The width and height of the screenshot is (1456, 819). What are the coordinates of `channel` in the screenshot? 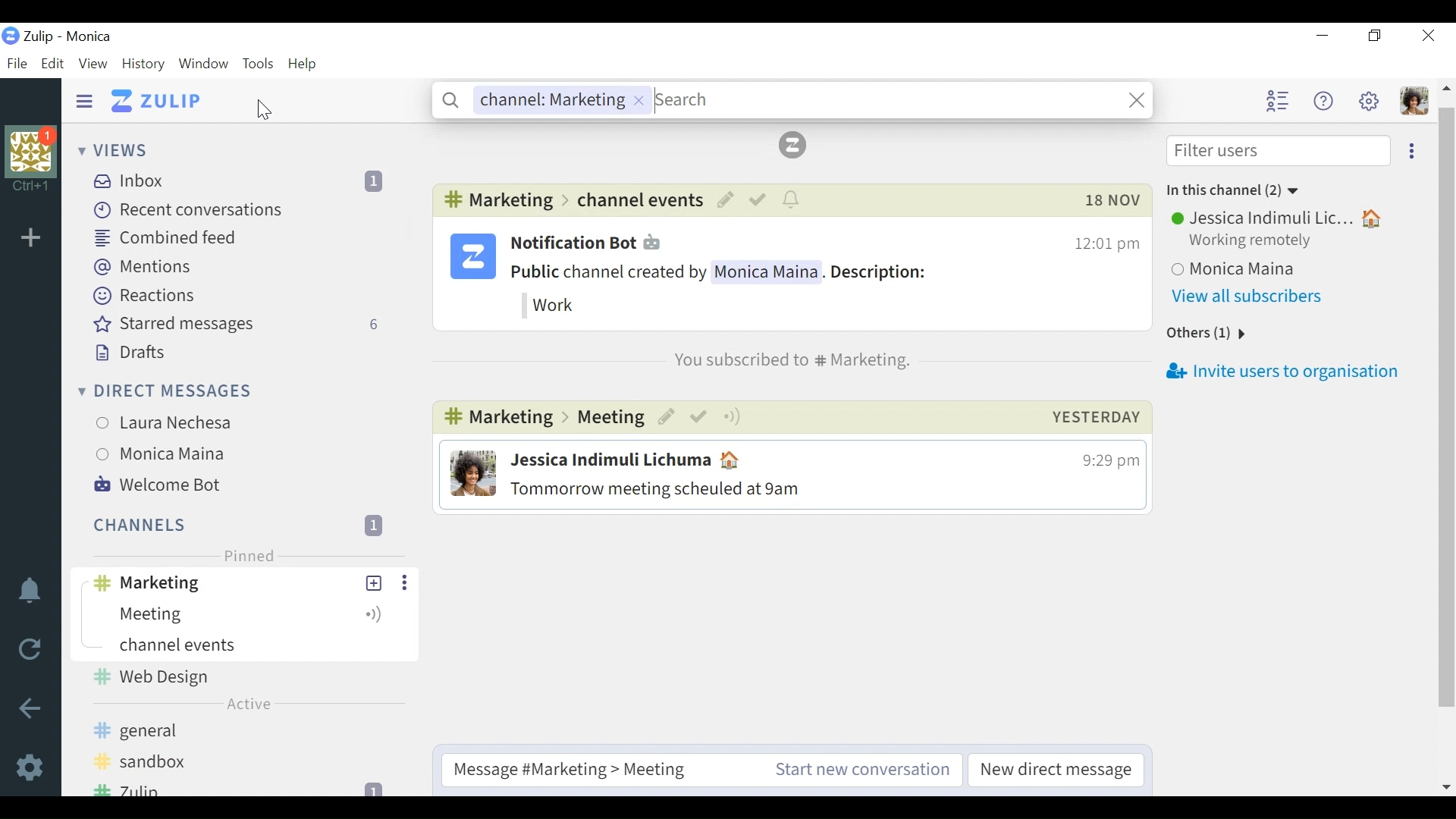 It's located at (247, 702).